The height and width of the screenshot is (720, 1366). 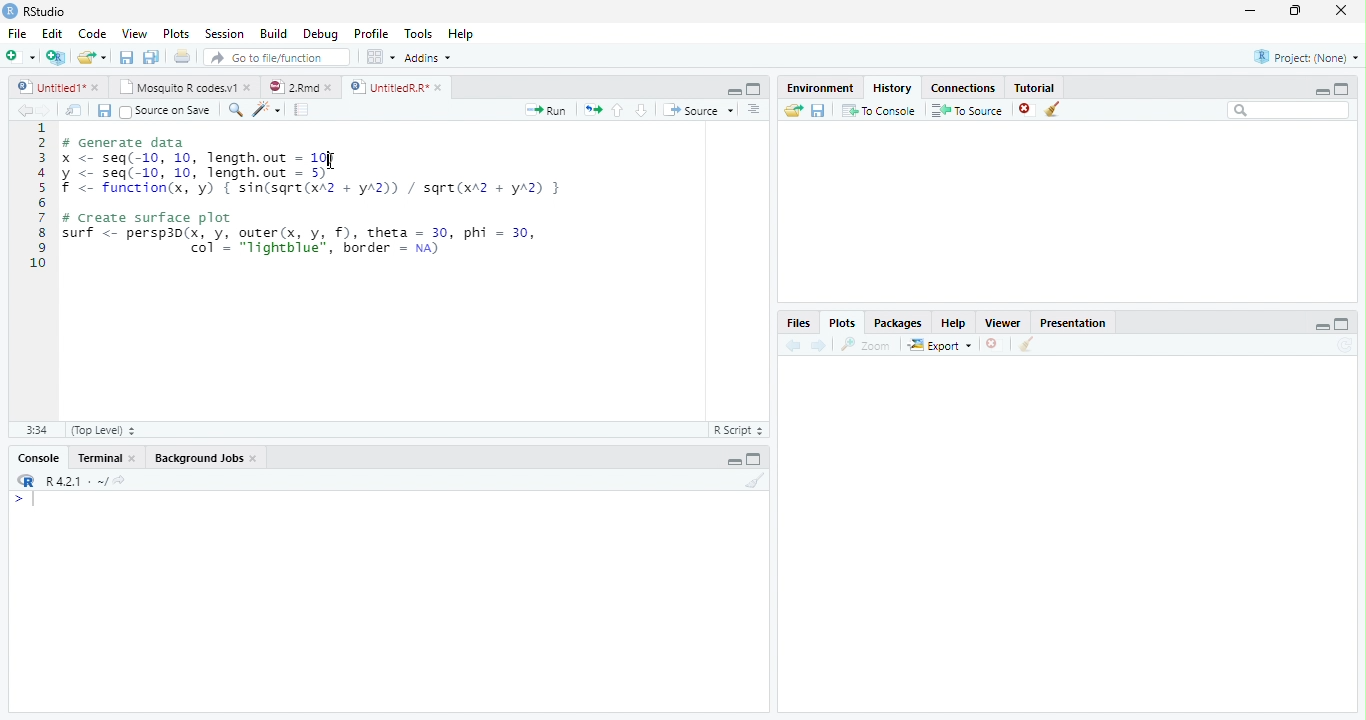 What do you see at coordinates (641, 109) in the screenshot?
I see `Go to next section/chunk` at bounding box center [641, 109].